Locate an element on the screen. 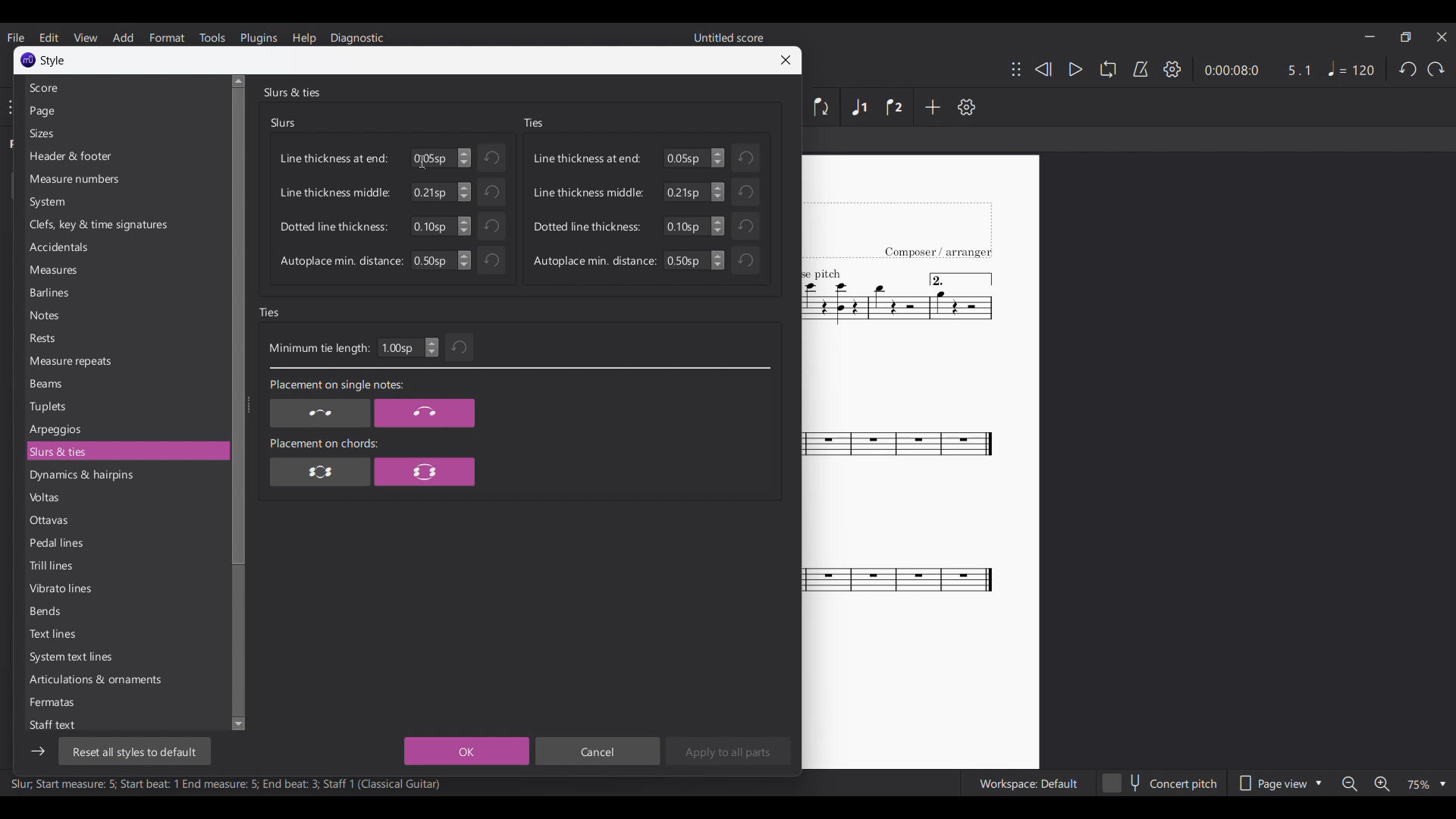 The width and height of the screenshot is (1456, 819). Autoplace min. distance is located at coordinates (341, 262).